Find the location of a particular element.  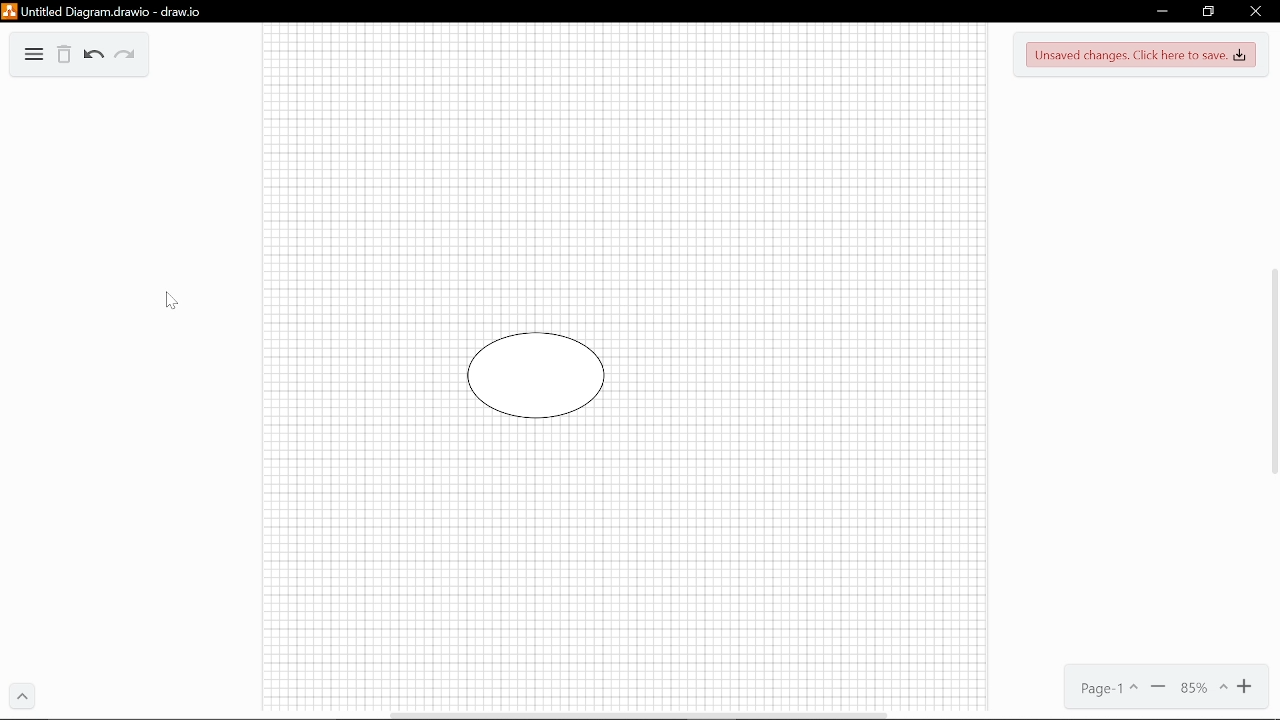

Zoom out is located at coordinates (1158, 689).